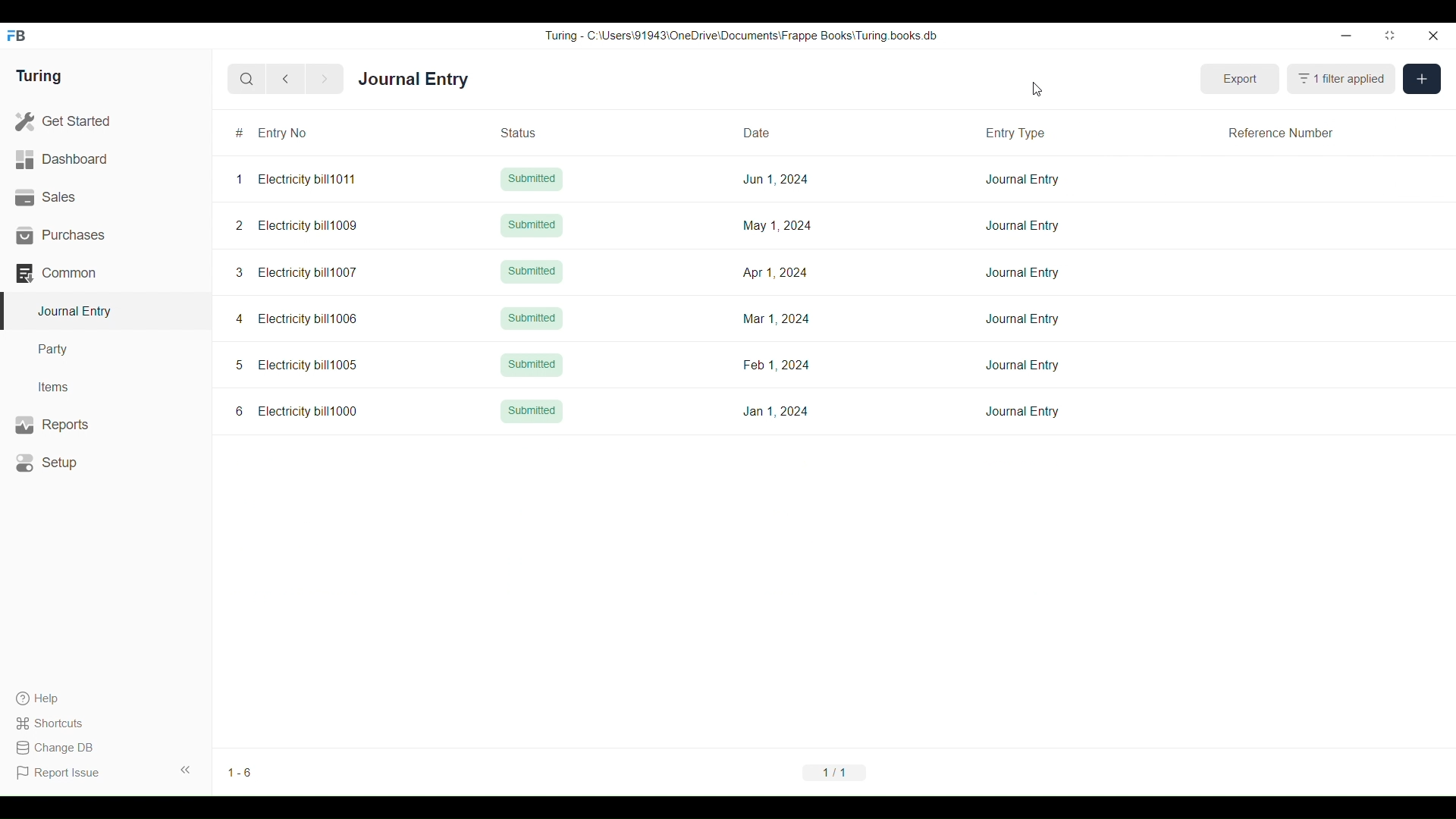 This screenshot has width=1456, height=819. I want to click on 1/1, so click(834, 772).